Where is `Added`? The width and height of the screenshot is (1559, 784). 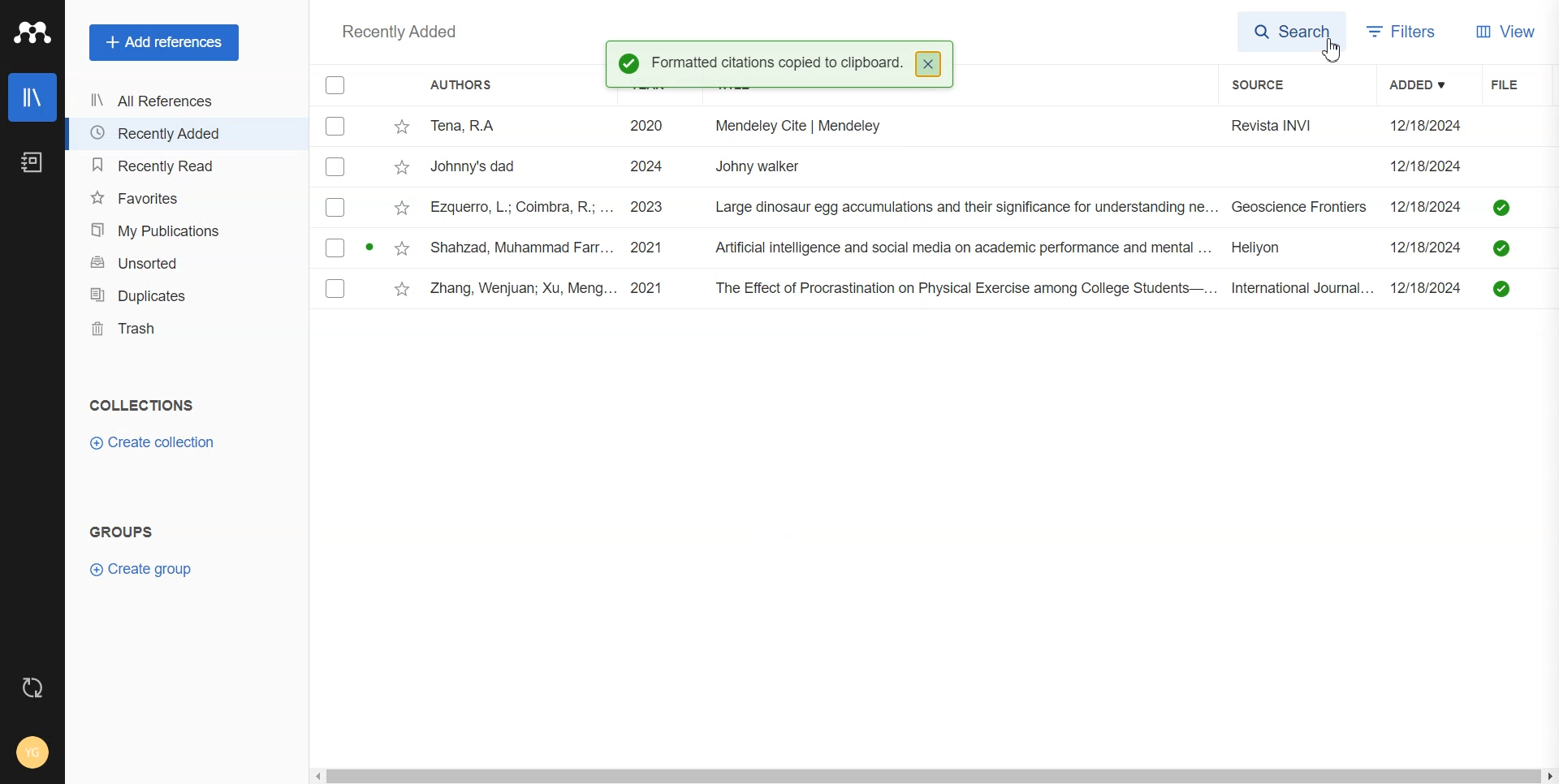 Added is located at coordinates (1427, 84).